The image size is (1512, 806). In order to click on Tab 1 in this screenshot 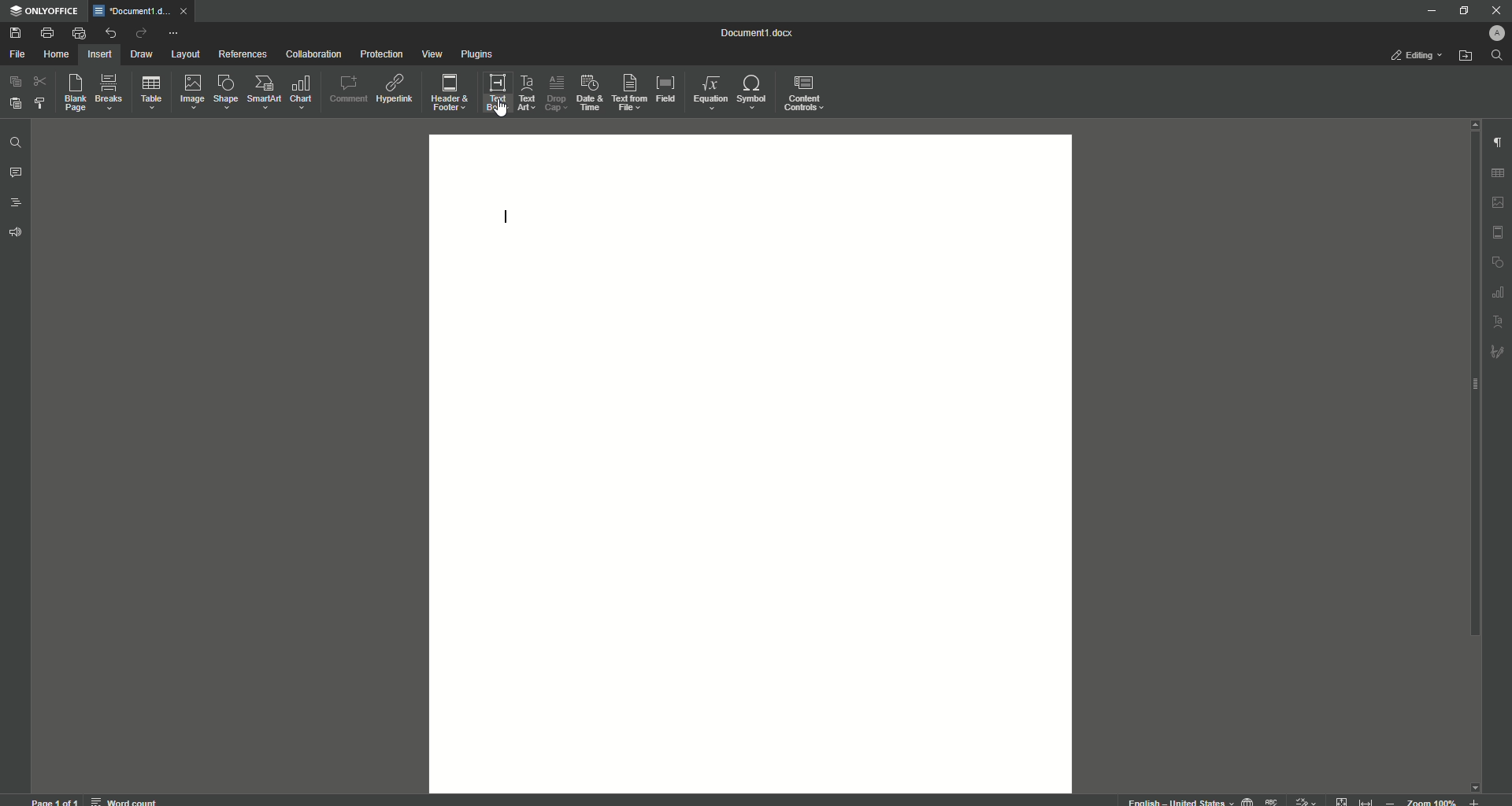, I will do `click(134, 11)`.